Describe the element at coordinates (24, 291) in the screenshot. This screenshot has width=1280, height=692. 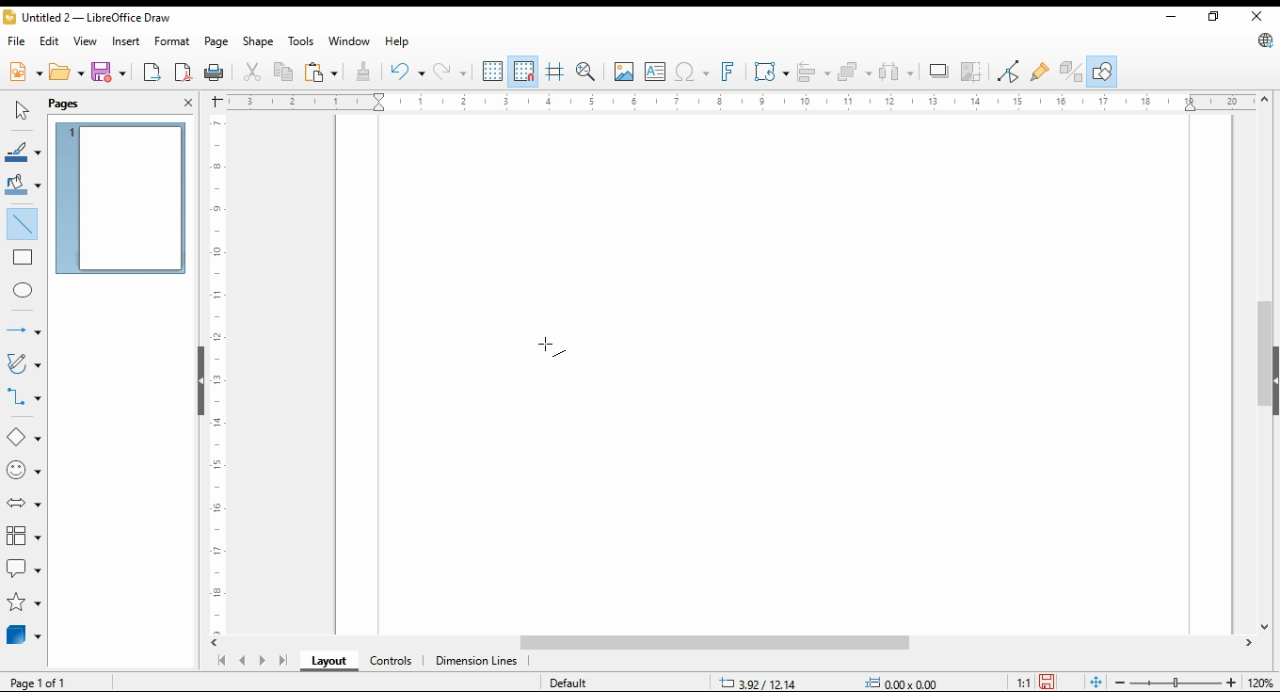
I see `ellipse` at that location.